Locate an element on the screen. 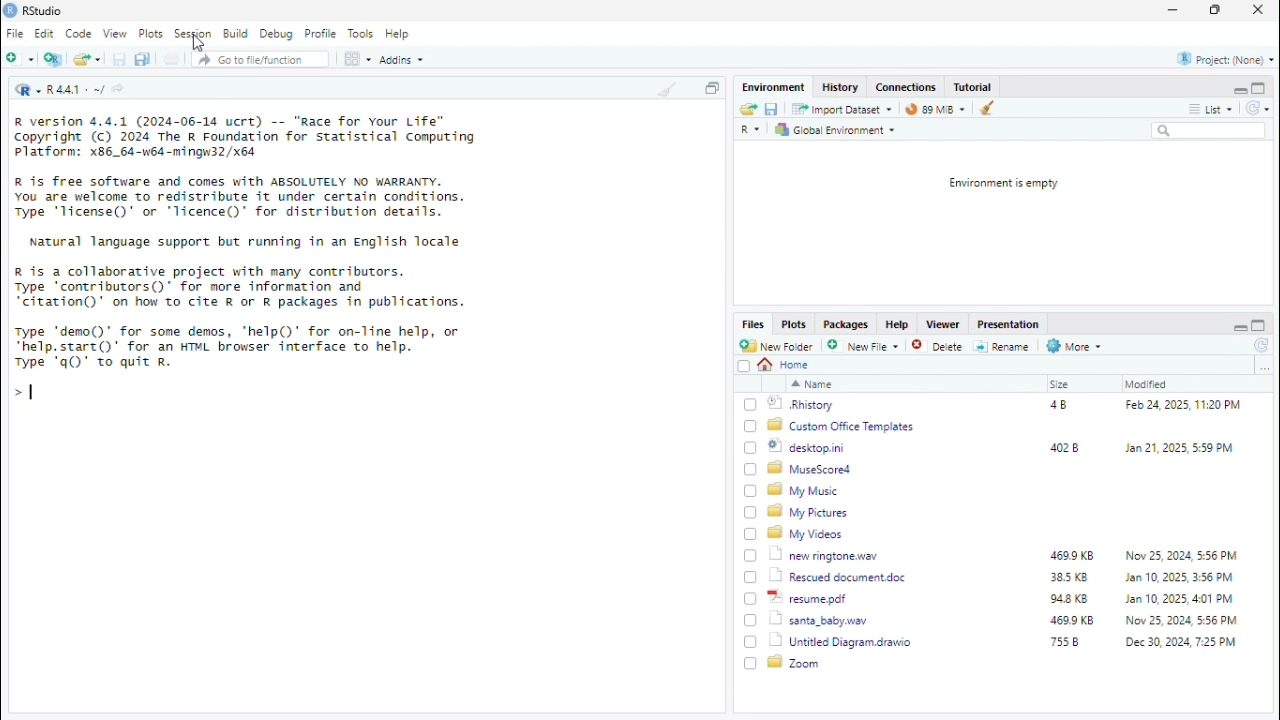 The height and width of the screenshot is (720, 1280). minimise is located at coordinates (1239, 90).